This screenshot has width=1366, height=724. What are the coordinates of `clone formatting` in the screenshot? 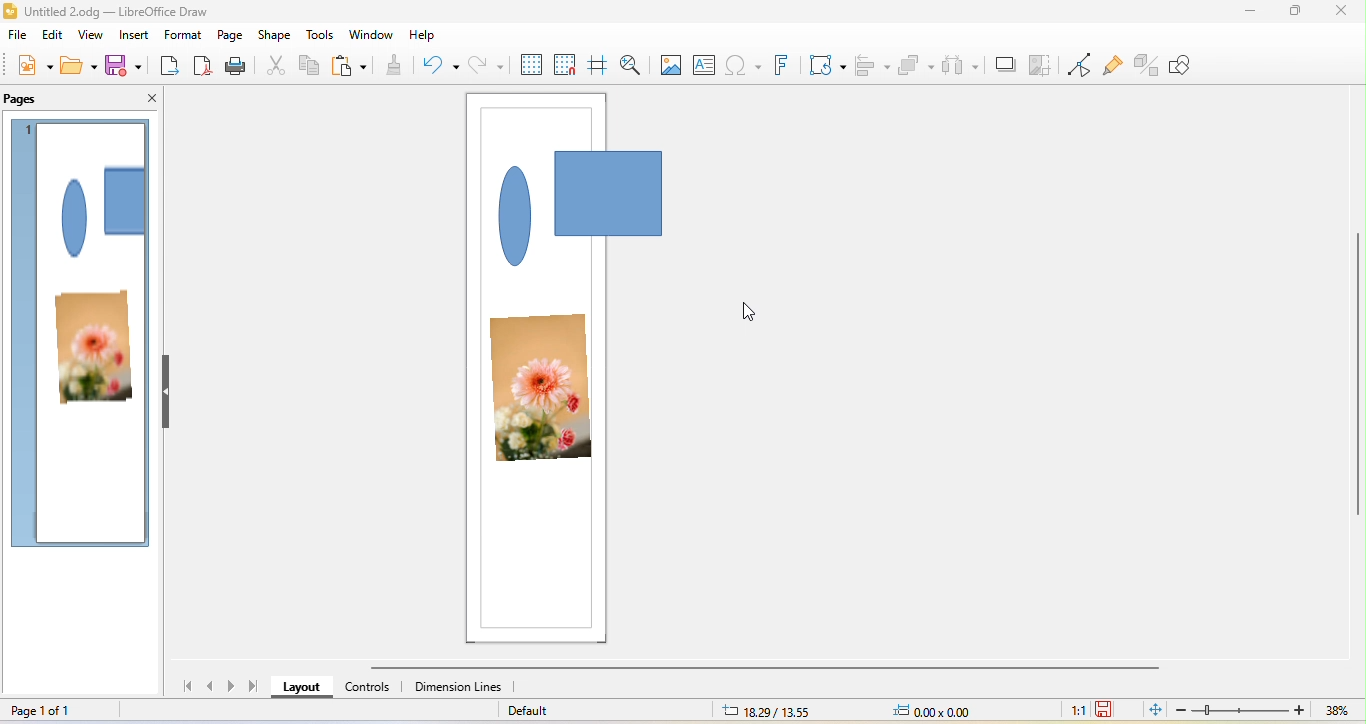 It's located at (400, 66).